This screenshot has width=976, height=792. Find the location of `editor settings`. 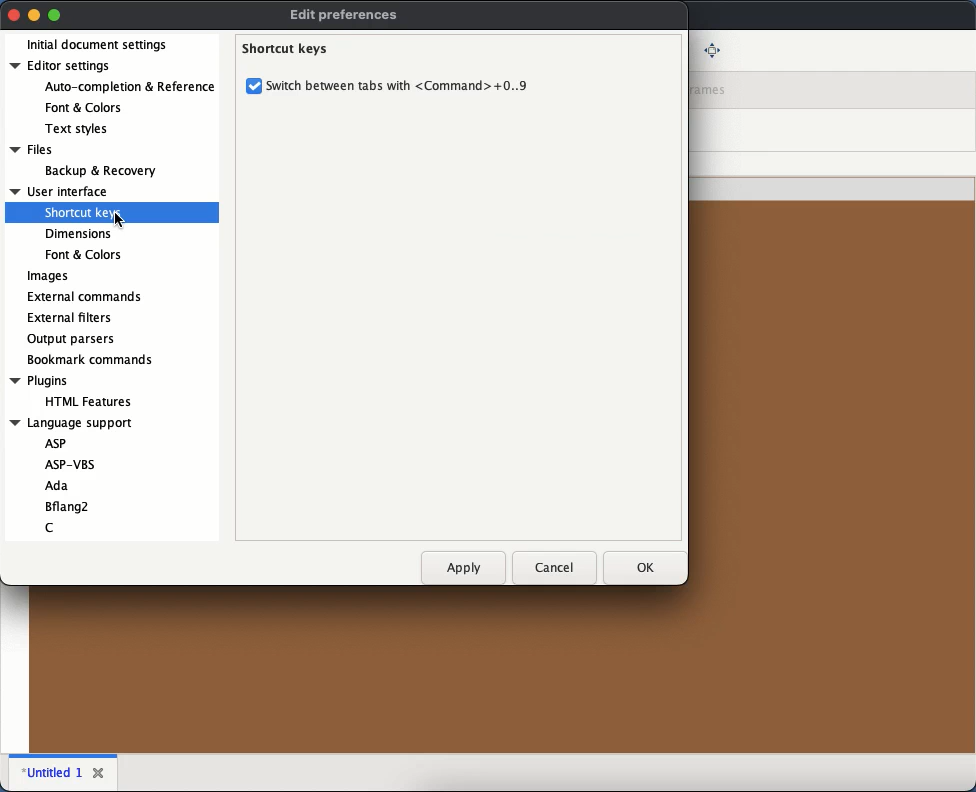

editor settings is located at coordinates (73, 68).